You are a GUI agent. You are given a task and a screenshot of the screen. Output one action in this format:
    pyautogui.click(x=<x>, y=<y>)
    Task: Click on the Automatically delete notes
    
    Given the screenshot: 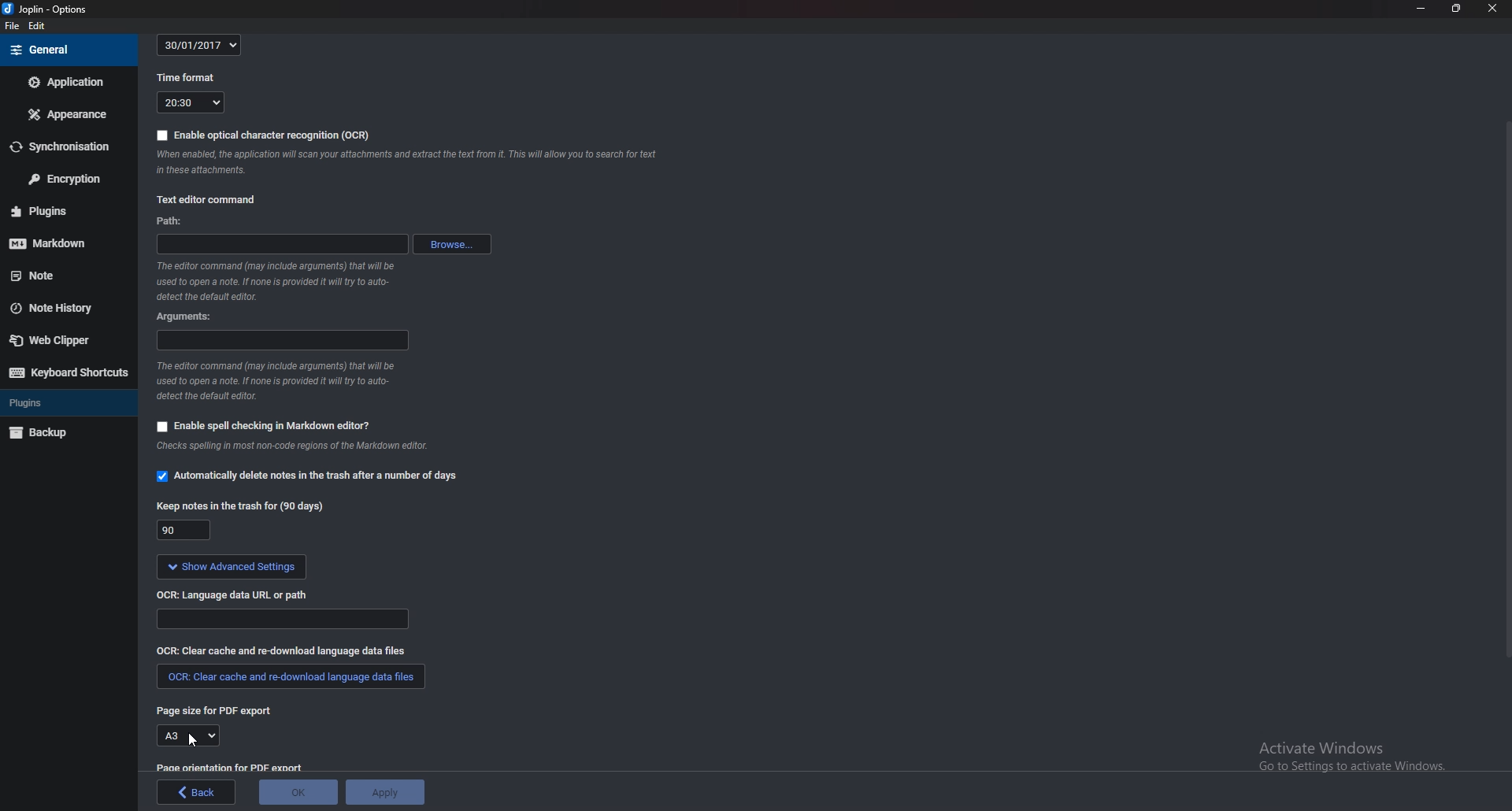 What is the action you would take?
    pyautogui.click(x=306, y=476)
    